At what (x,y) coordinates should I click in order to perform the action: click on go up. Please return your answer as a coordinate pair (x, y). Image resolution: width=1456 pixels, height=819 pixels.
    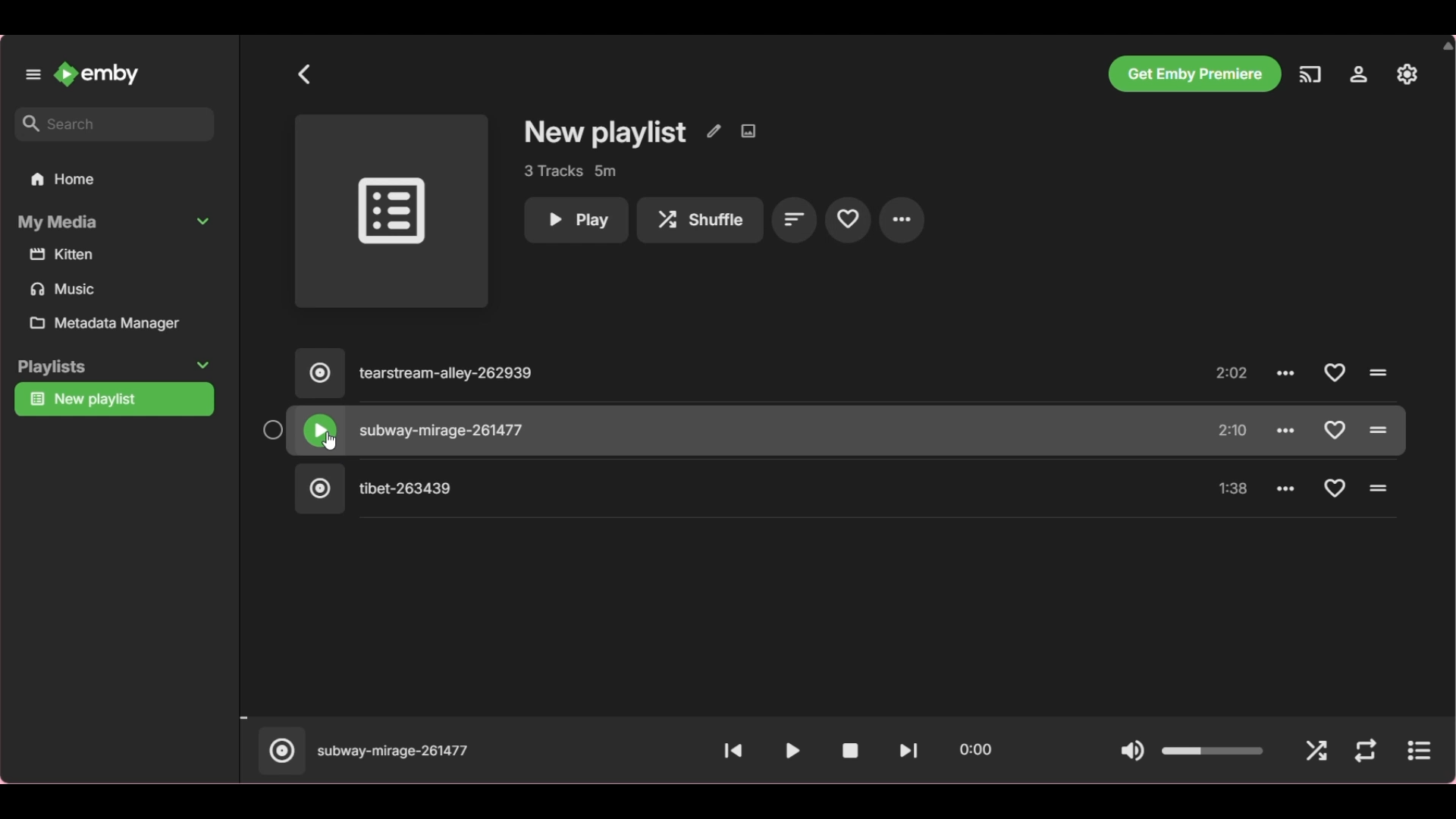
    Looking at the image, I should click on (1447, 45).